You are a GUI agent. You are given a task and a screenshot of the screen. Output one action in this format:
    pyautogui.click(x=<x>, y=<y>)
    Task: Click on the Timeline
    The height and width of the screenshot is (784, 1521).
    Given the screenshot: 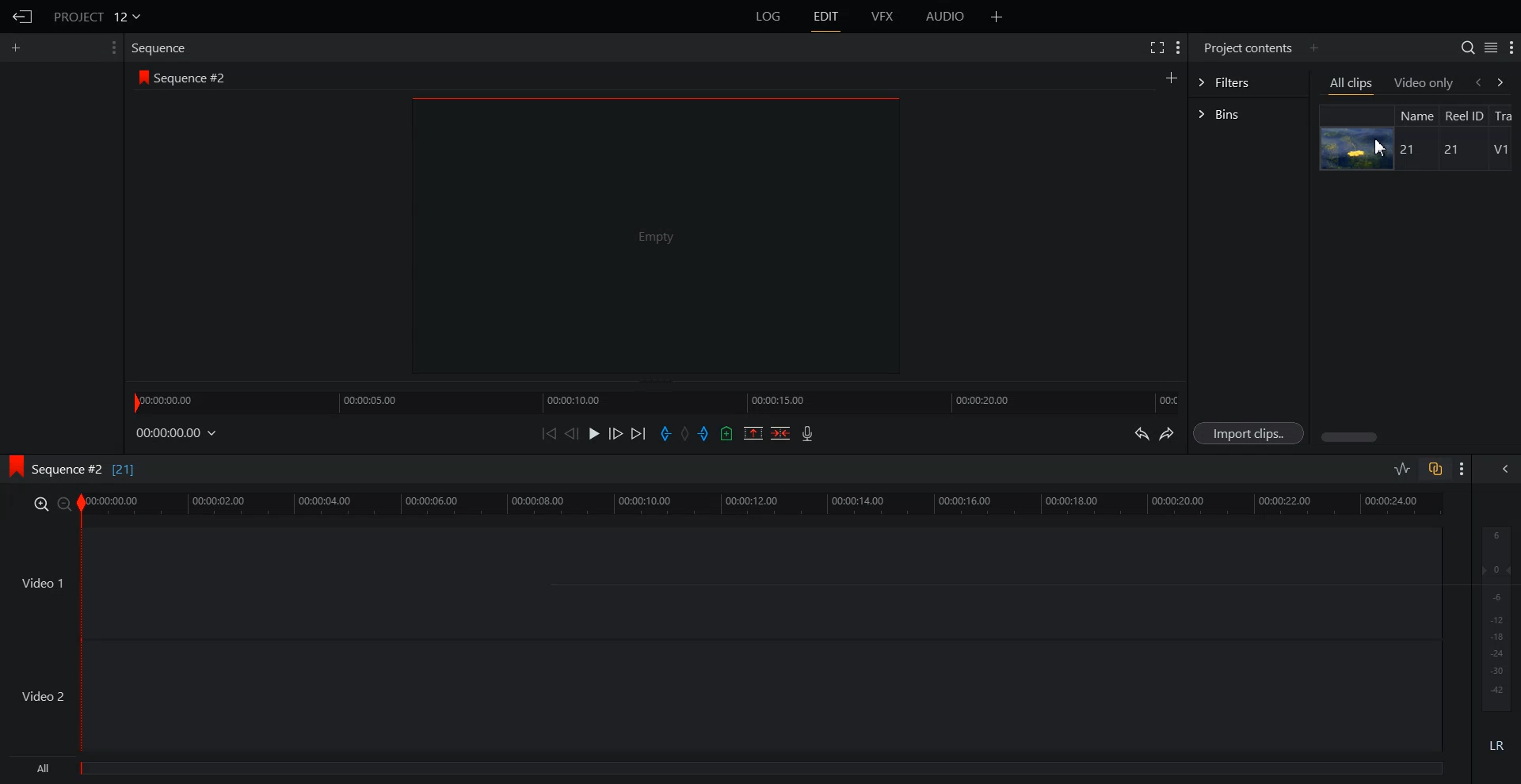 What is the action you would take?
    pyautogui.click(x=655, y=401)
    